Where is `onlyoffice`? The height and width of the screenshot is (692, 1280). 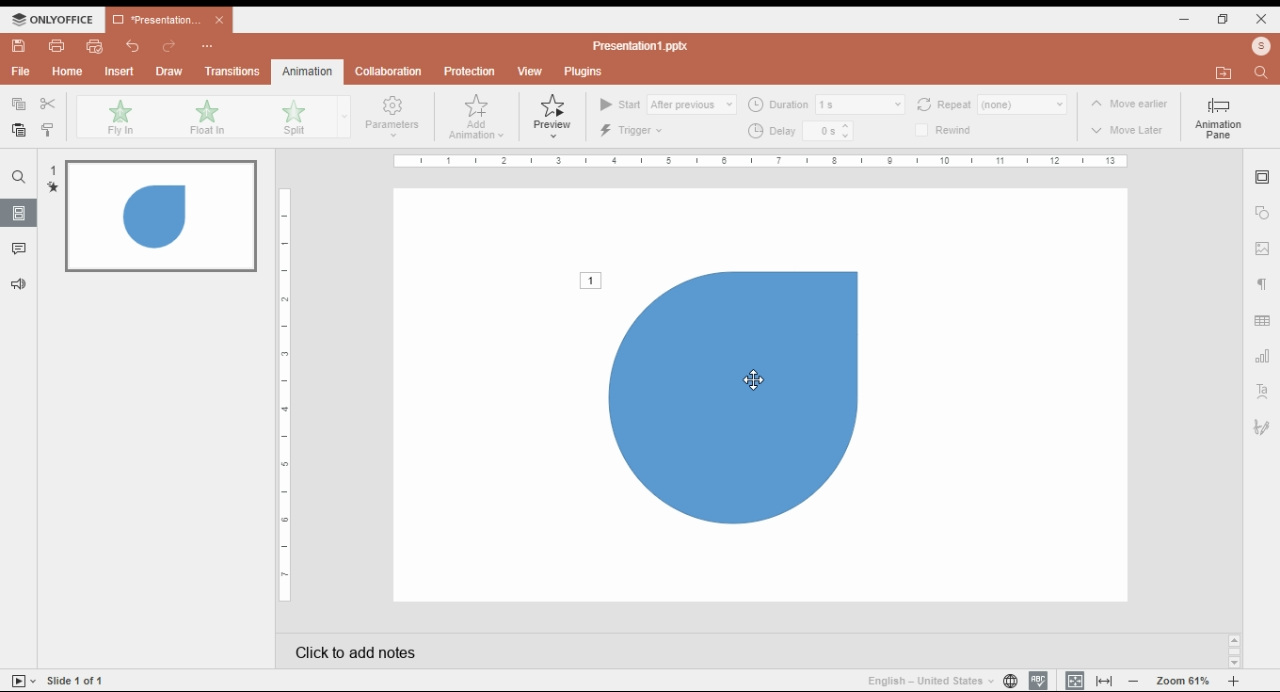 onlyoffice is located at coordinates (50, 19).